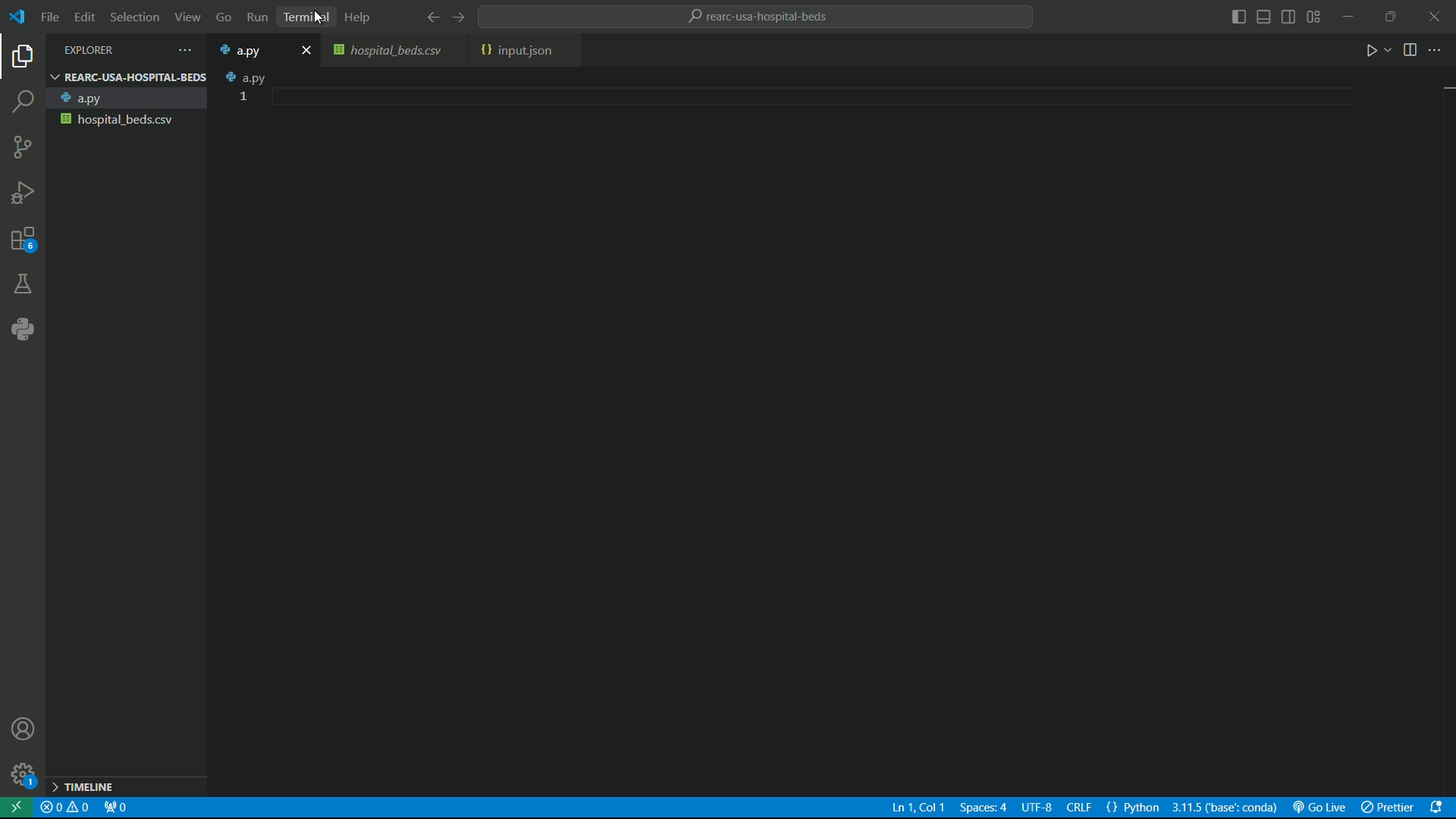 The height and width of the screenshot is (819, 1456). What do you see at coordinates (67, 808) in the screenshot?
I see `code problems` at bounding box center [67, 808].